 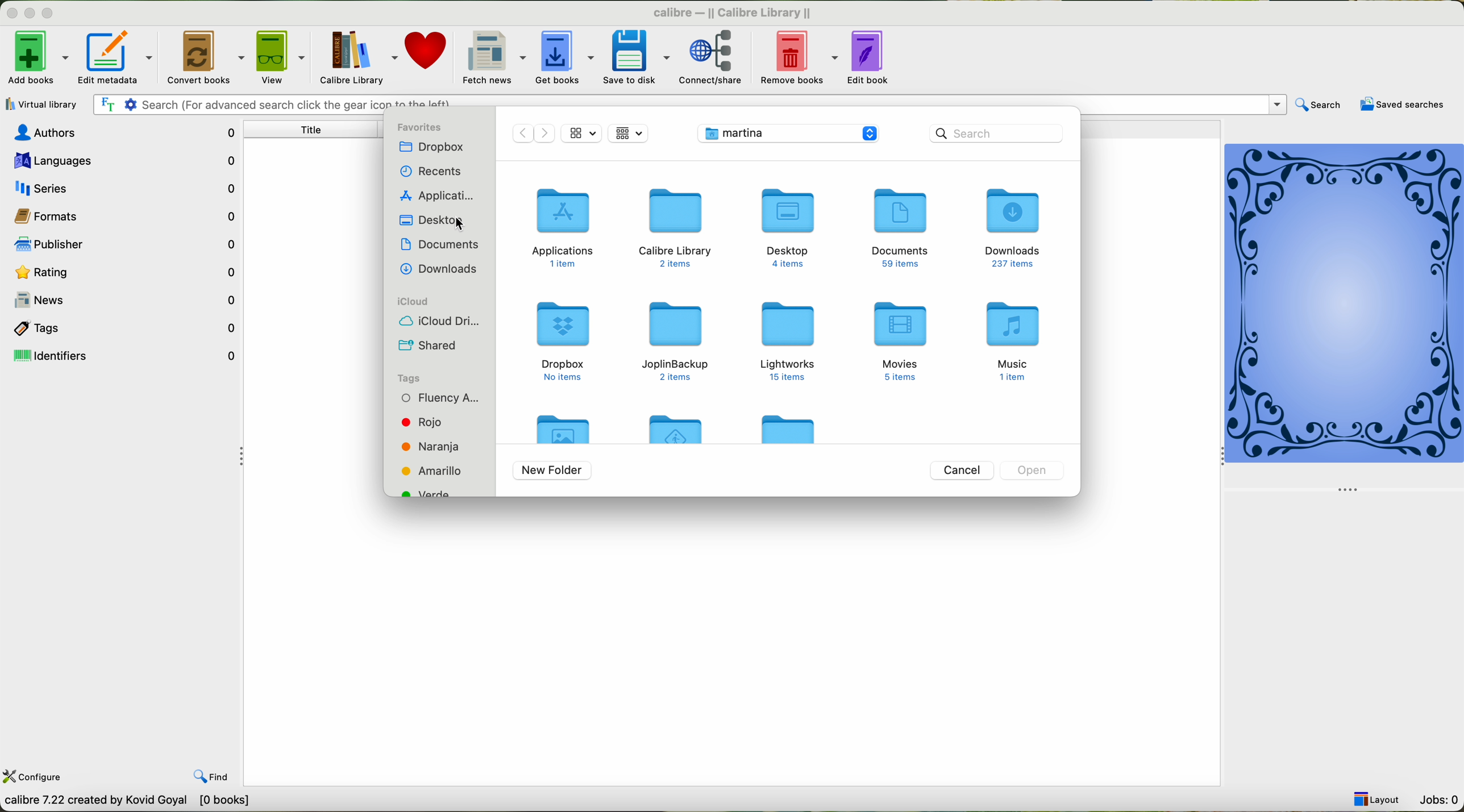 What do you see at coordinates (1345, 316) in the screenshot?
I see `cover book preview` at bounding box center [1345, 316].